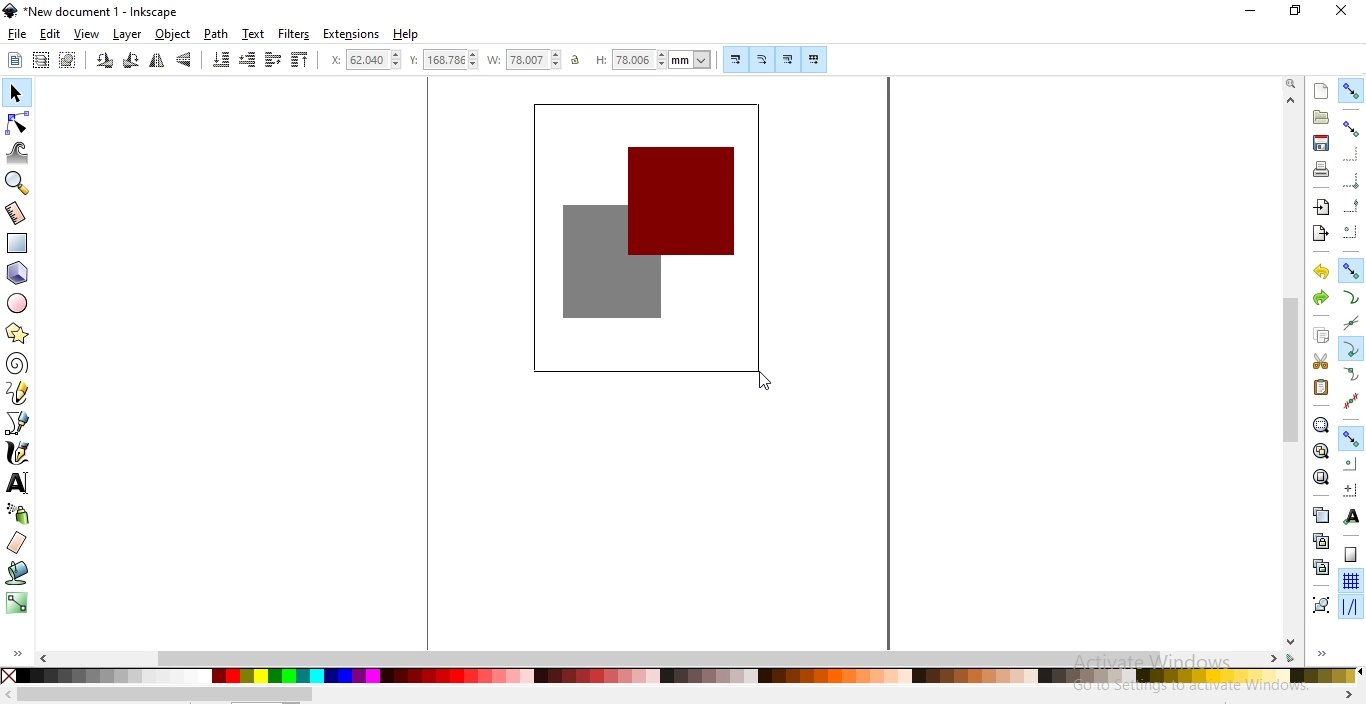 The image size is (1366, 704). I want to click on snap midpoints of line segments, so click(1350, 401).